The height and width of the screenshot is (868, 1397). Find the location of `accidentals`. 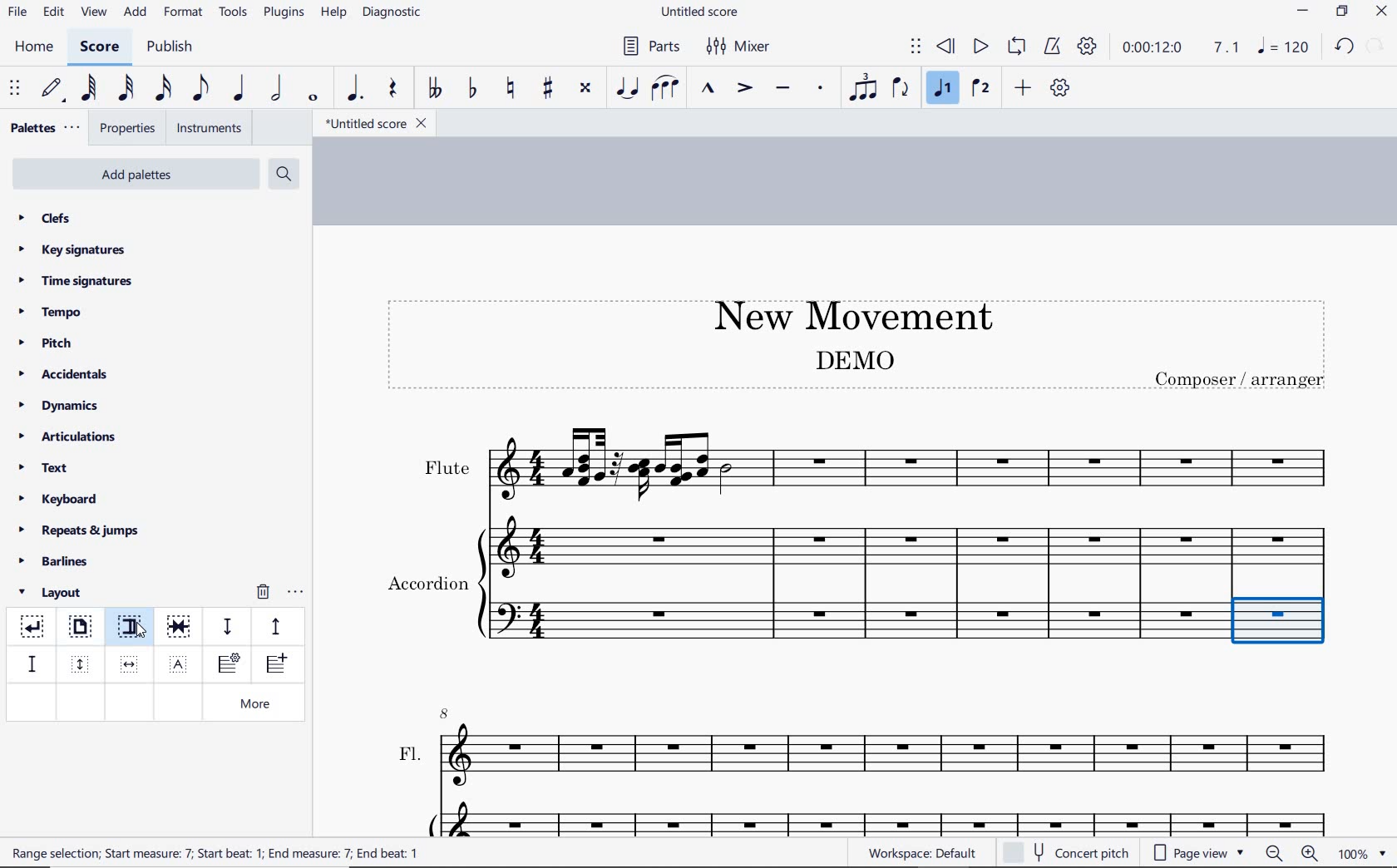

accidentals is located at coordinates (66, 373).